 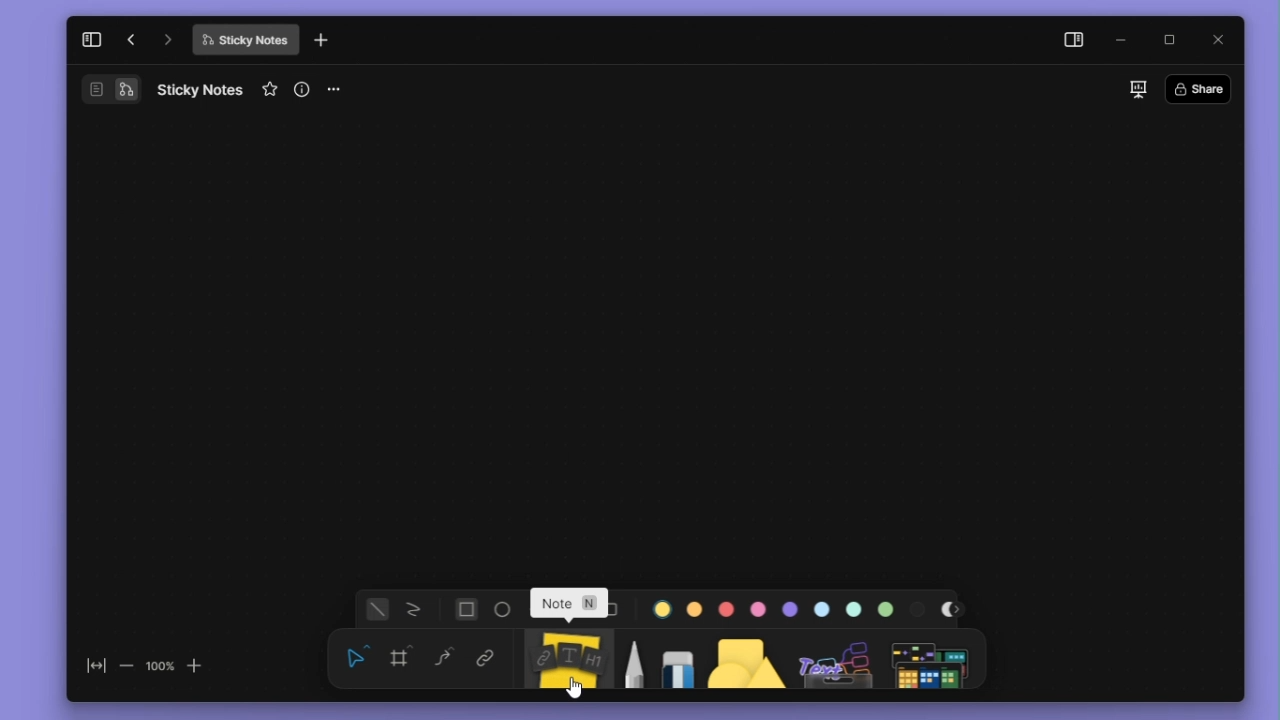 What do you see at coordinates (414, 610) in the screenshot?
I see `scribbled` at bounding box center [414, 610].